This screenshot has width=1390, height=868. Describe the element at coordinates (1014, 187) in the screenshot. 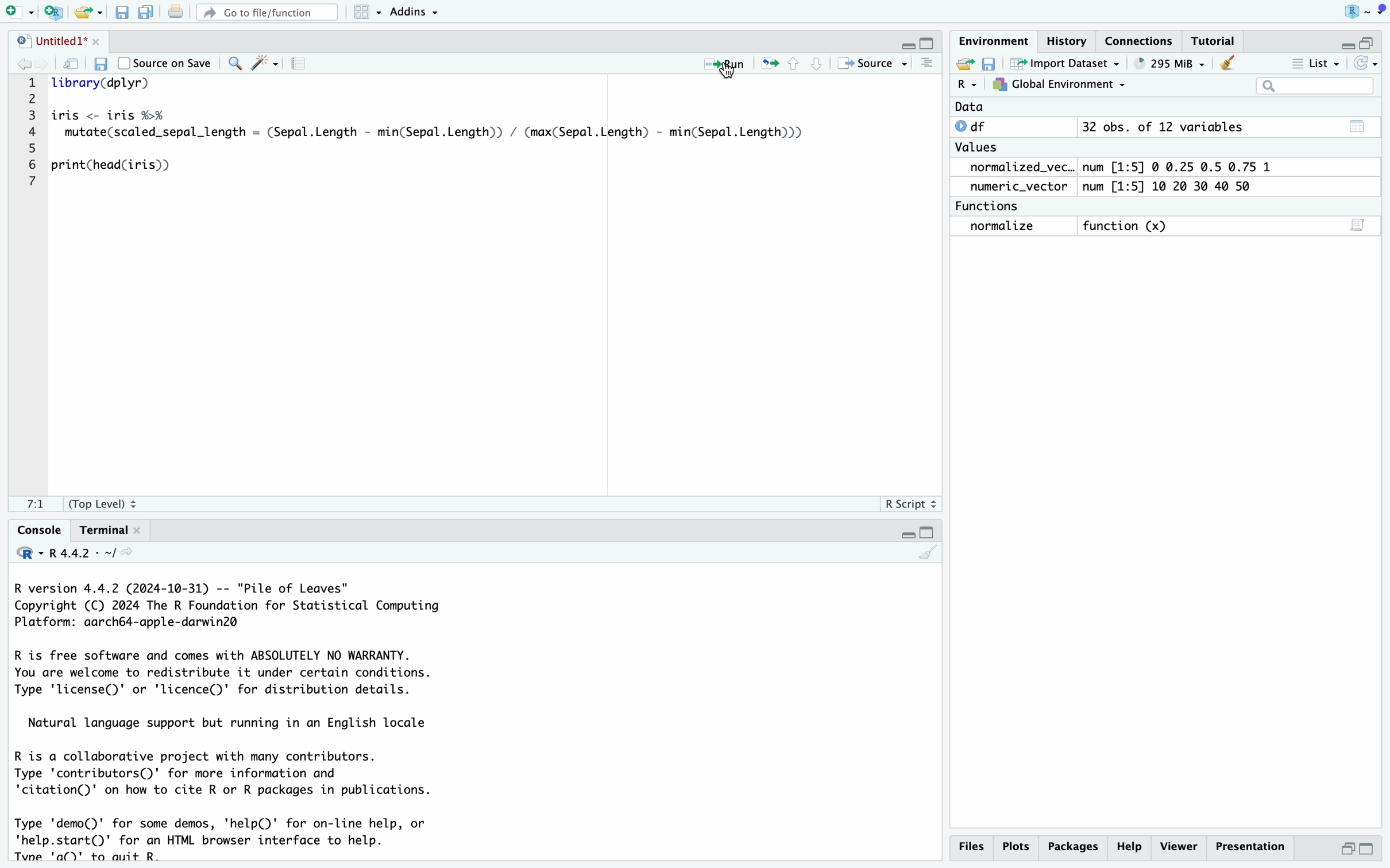

I see `Numeric_Vector` at that location.